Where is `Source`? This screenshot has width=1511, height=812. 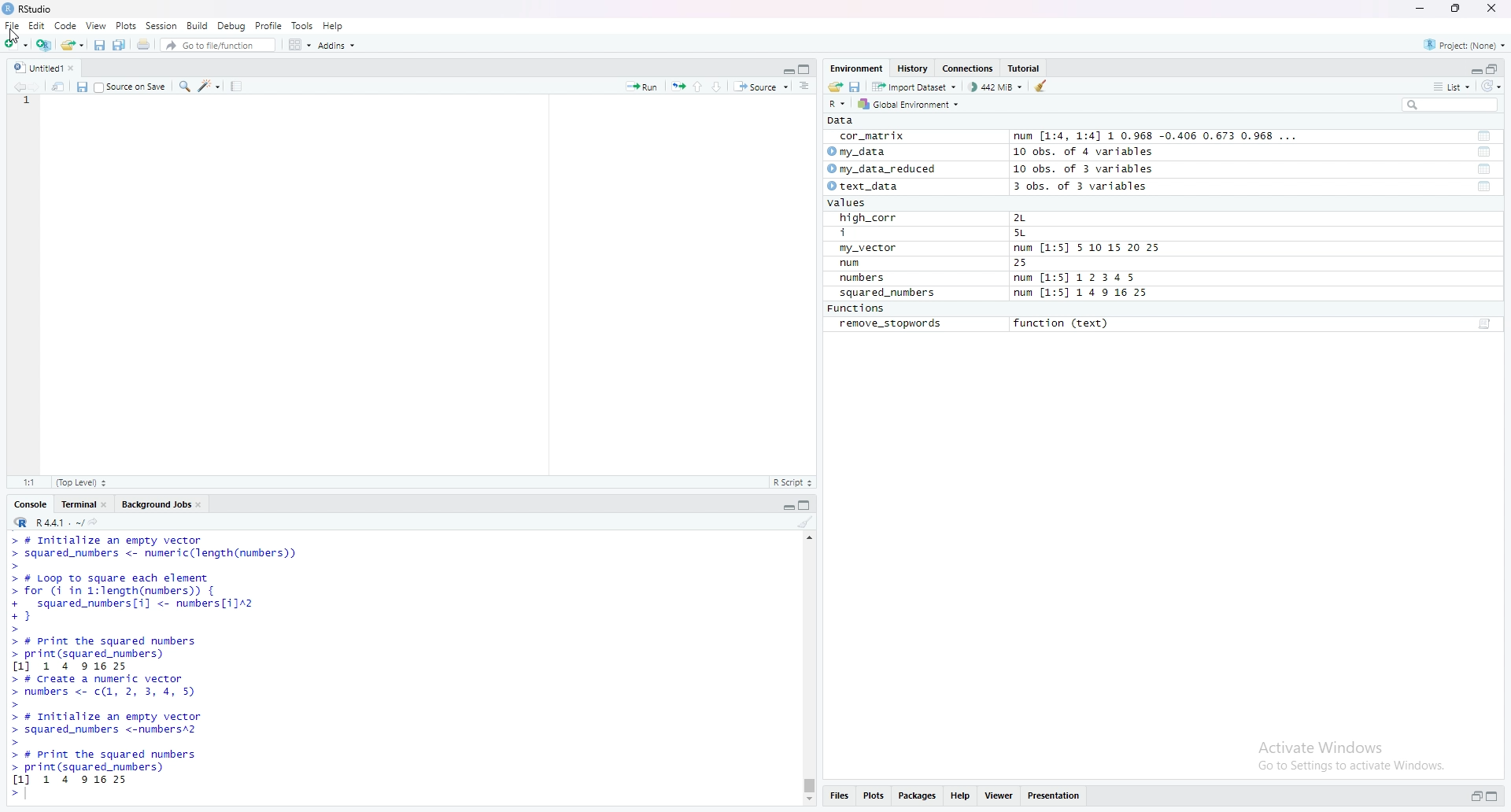
Source is located at coordinates (763, 87).